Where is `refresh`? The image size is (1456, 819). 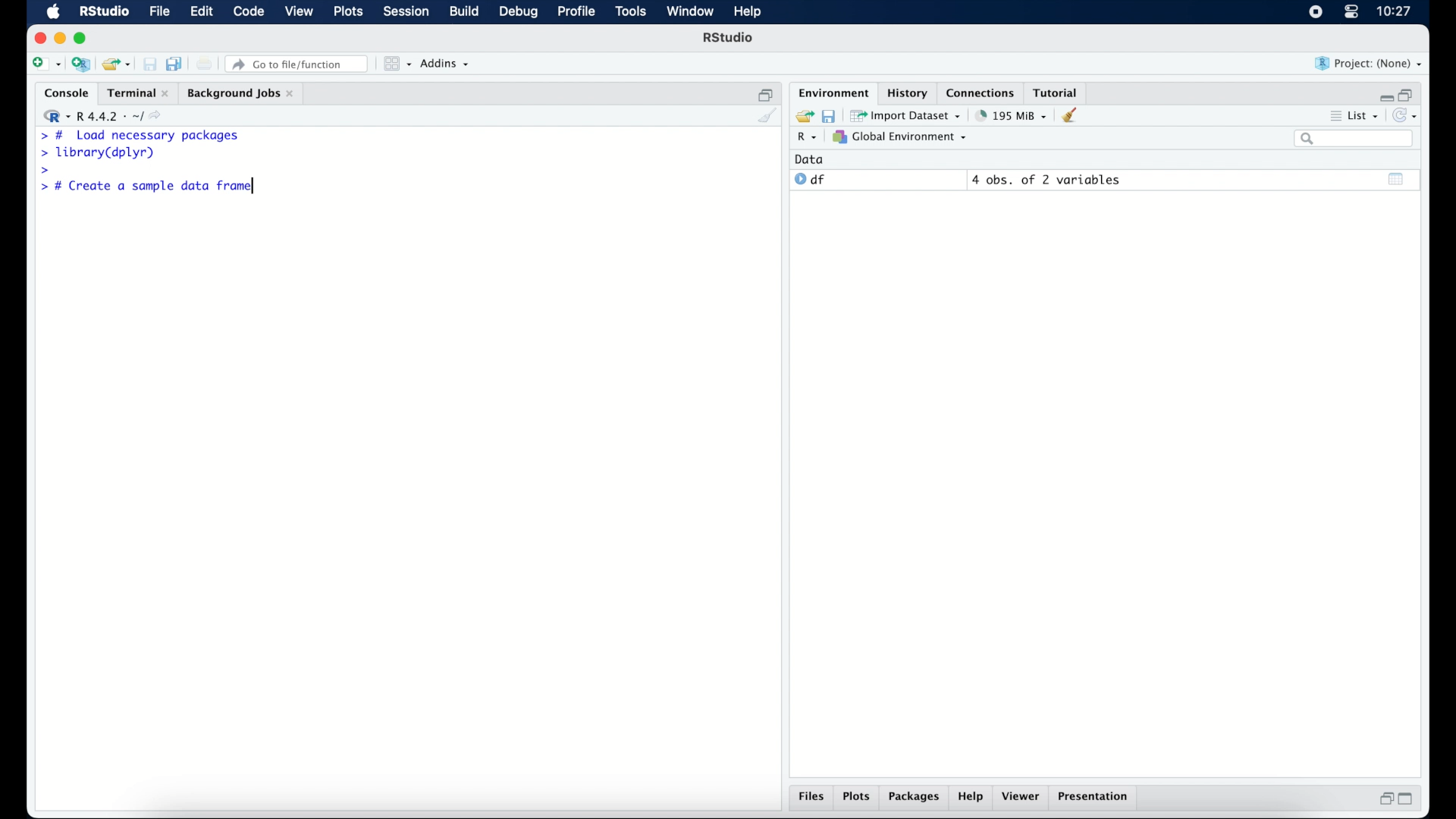
refresh is located at coordinates (1407, 117).